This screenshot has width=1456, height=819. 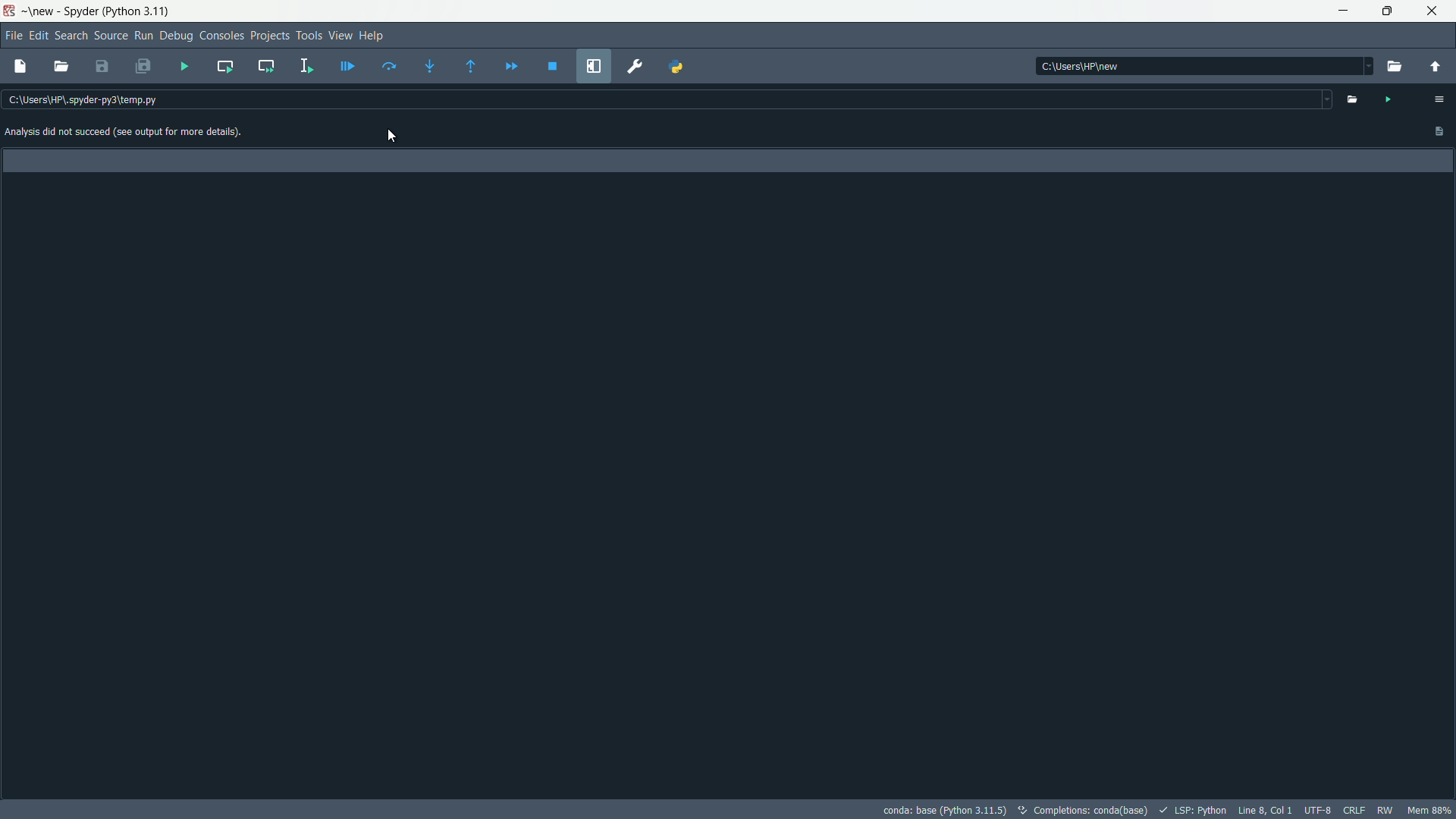 I want to click on run menu, so click(x=143, y=37).